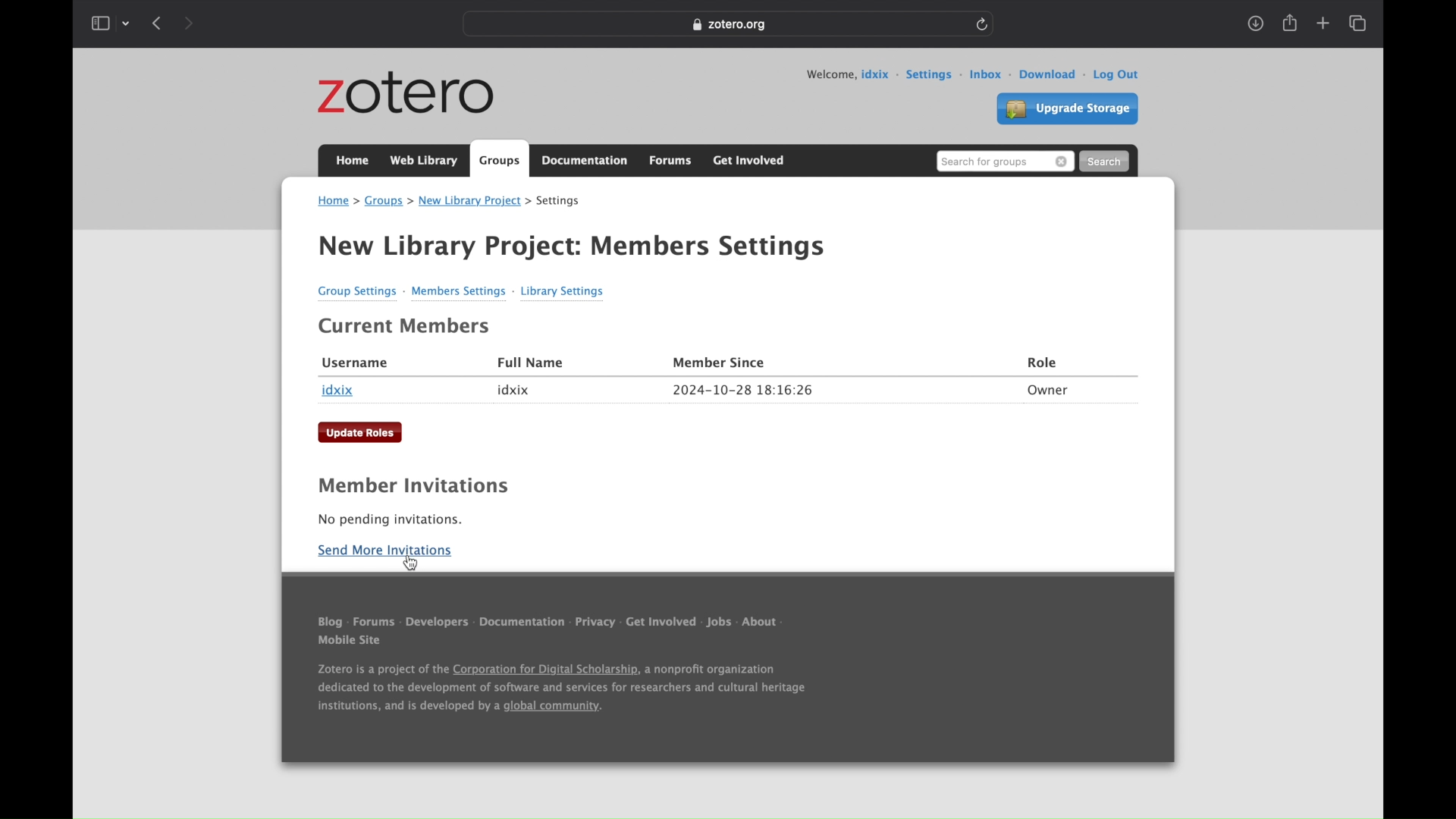 This screenshot has width=1456, height=819. What do you see at coordinates (743, 388) in the screenshot?
I see `2024-10-28 18:16:26` at bounding box center [743, 388].